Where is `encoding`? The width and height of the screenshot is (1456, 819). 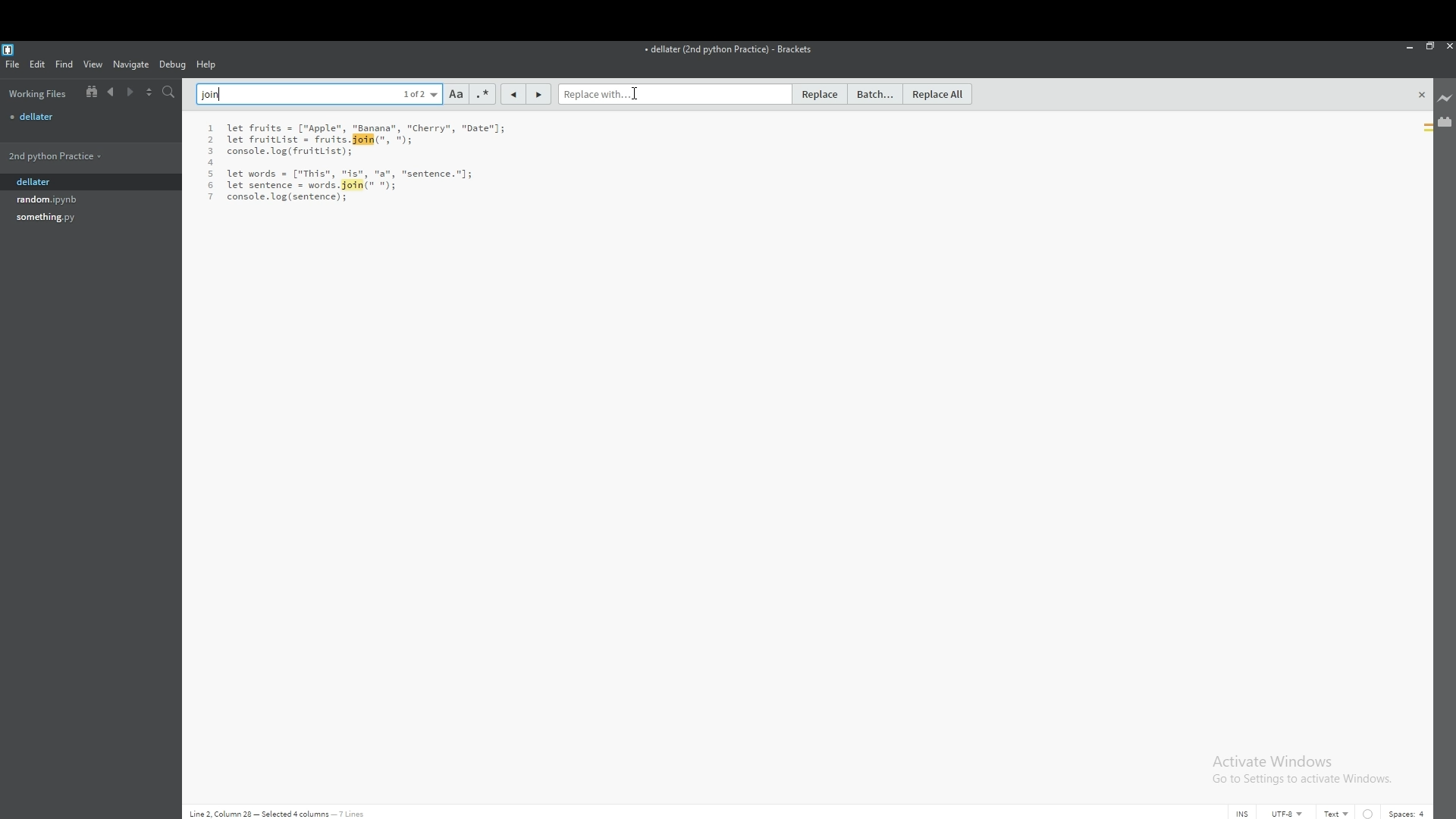
encoding is located at coordinates (1287, 813).